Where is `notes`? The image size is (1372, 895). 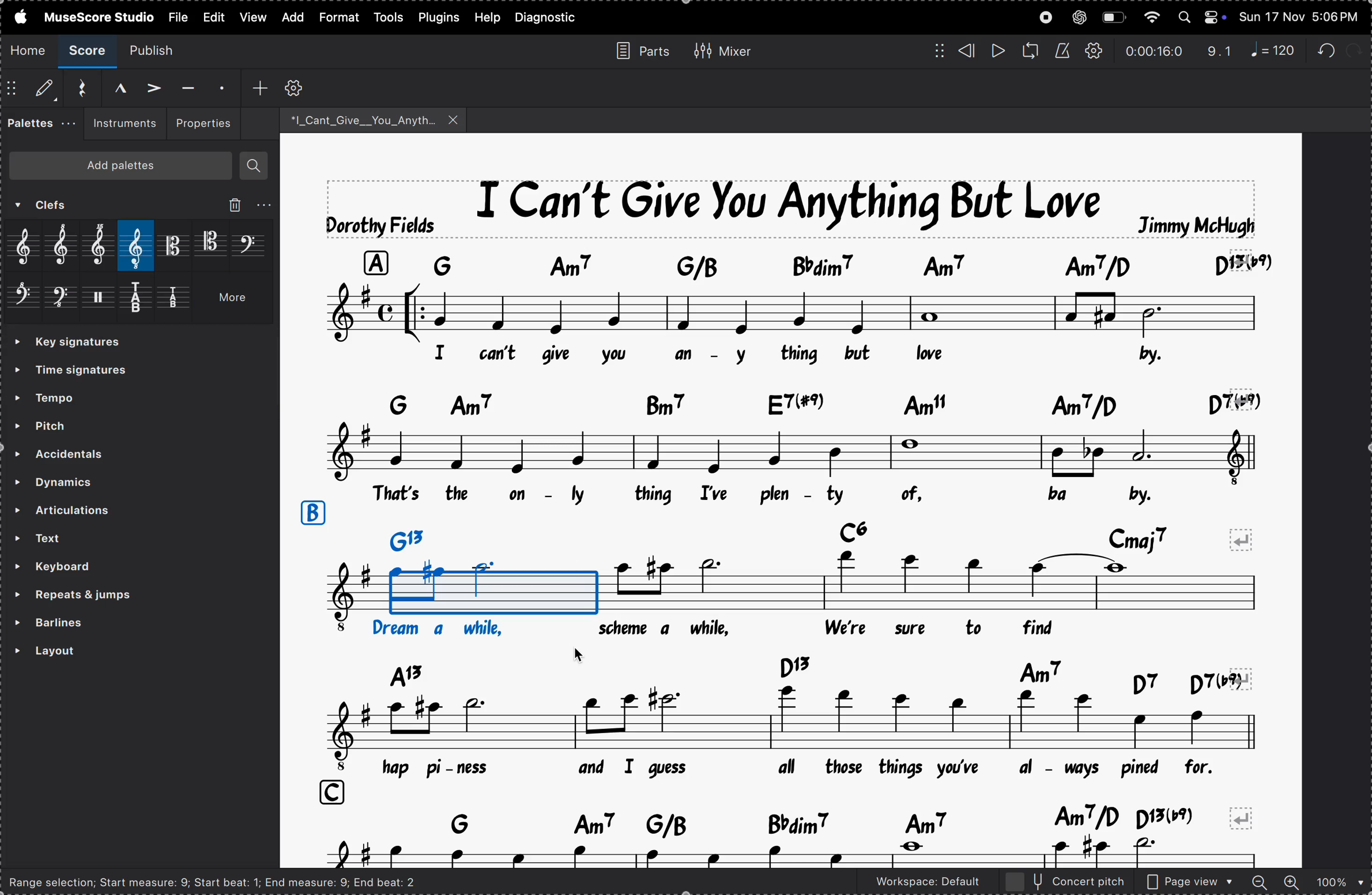 notes is located at coordinates (789, 727).